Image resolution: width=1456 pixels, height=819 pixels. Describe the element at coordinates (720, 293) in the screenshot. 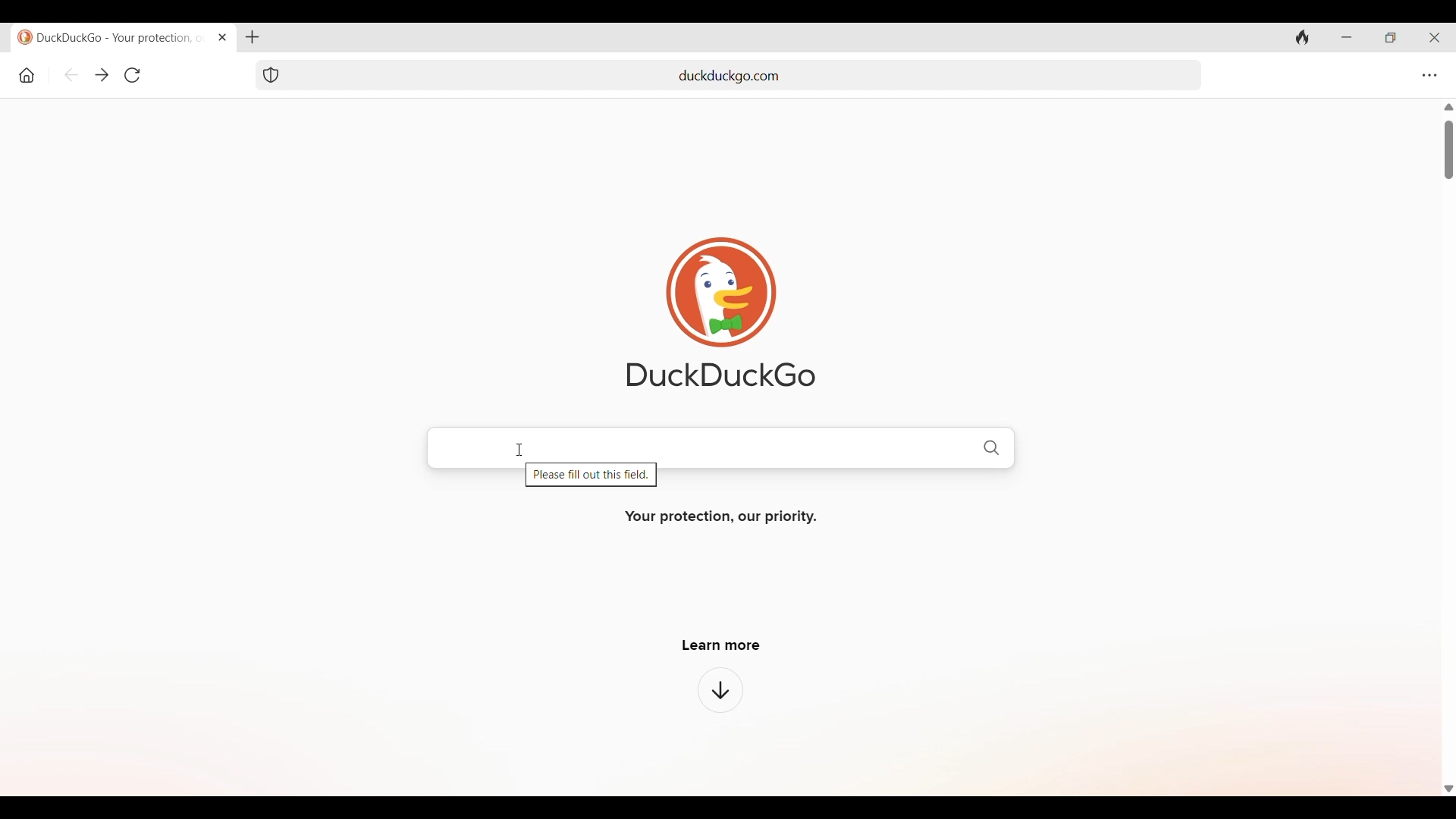

I see `Browser logo` at that location.